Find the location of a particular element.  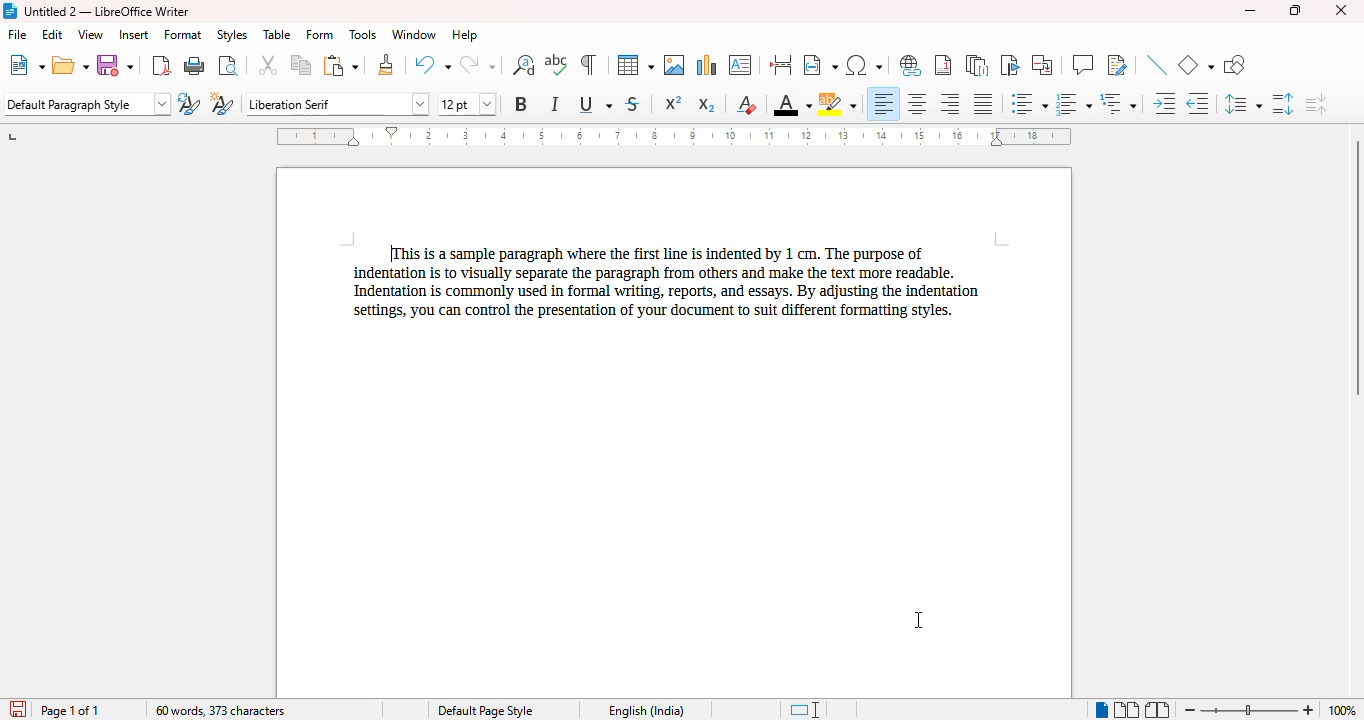

file is located at coordinates (17, 34).